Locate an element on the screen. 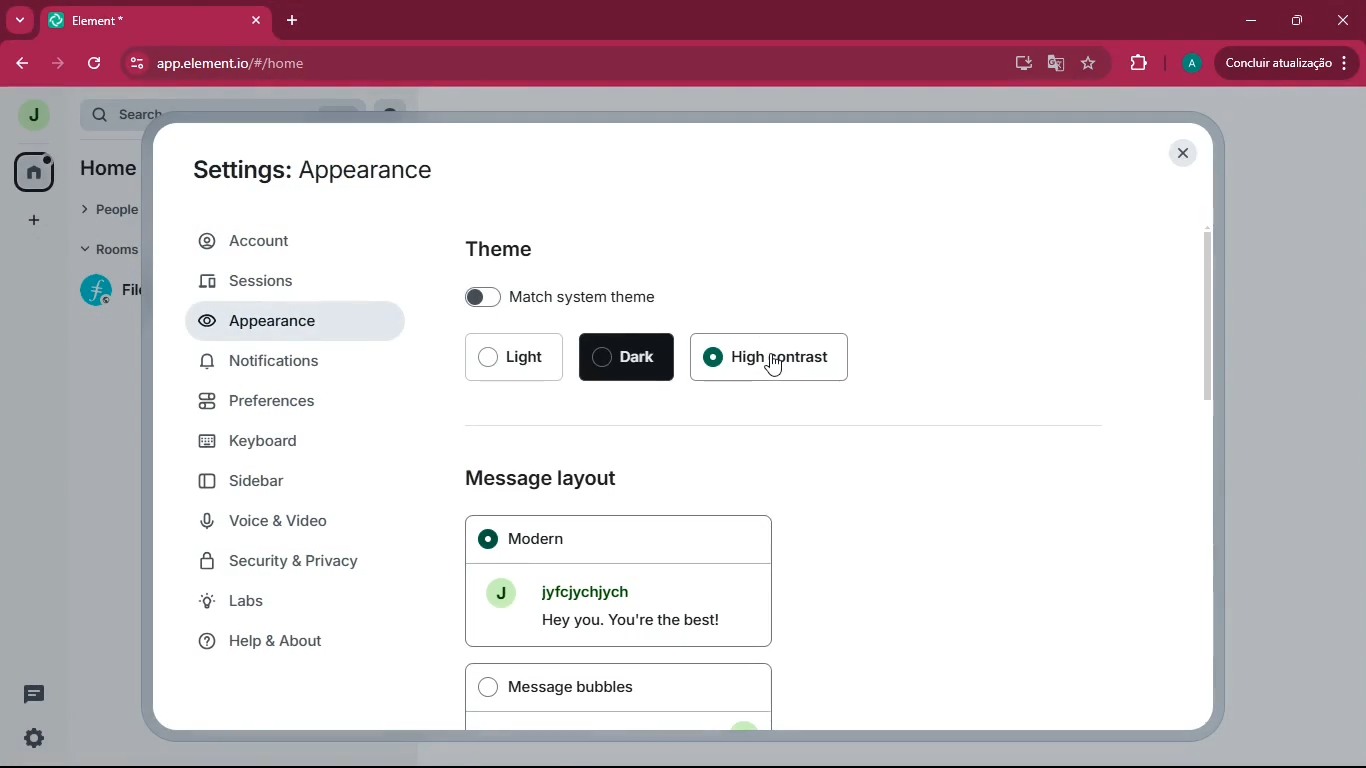 The image size is (1366, 768). google translate is located at coordinates (1054, 64).